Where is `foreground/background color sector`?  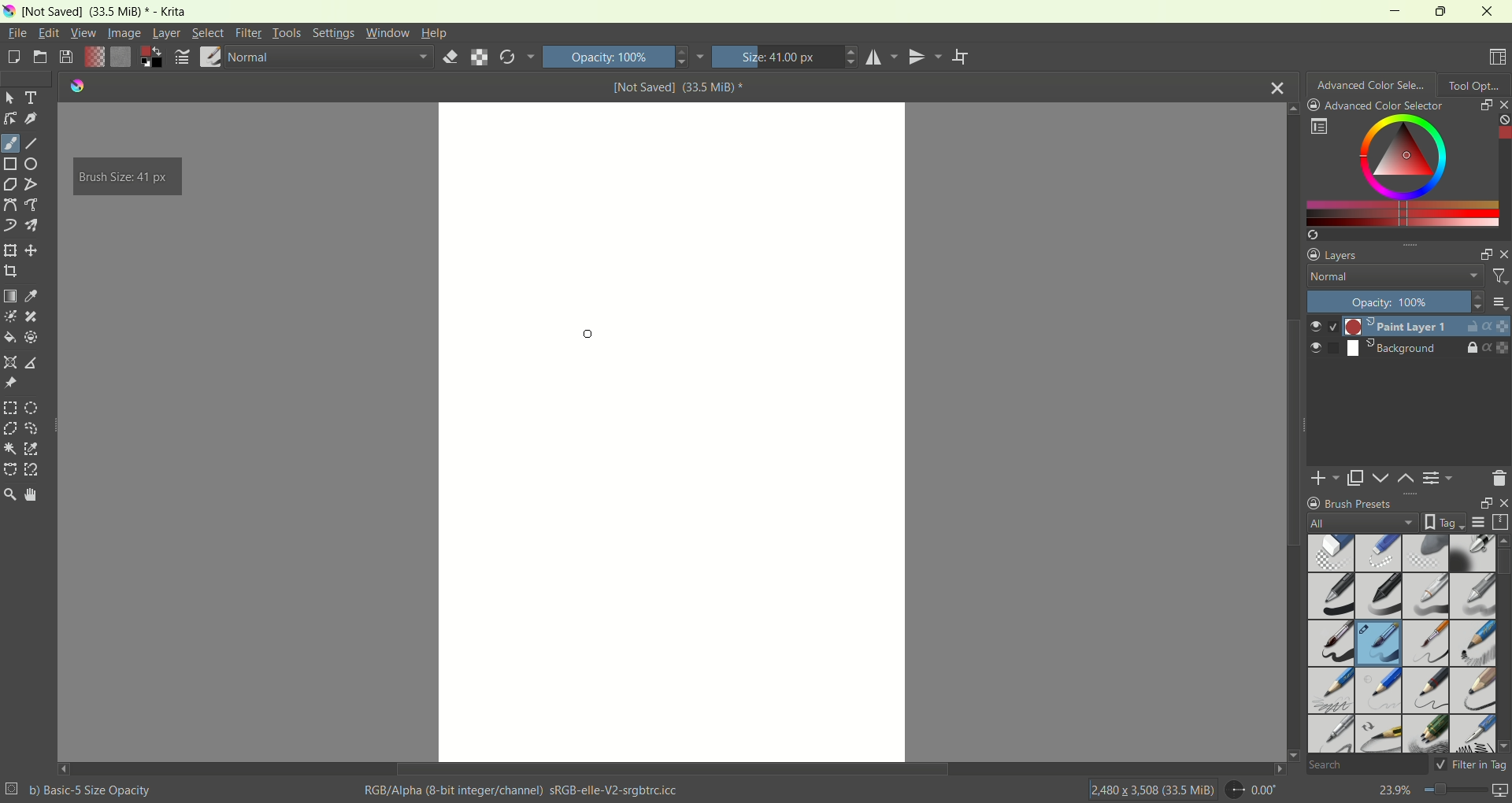 foreground/background color sector is located at coordinates (152, 58).